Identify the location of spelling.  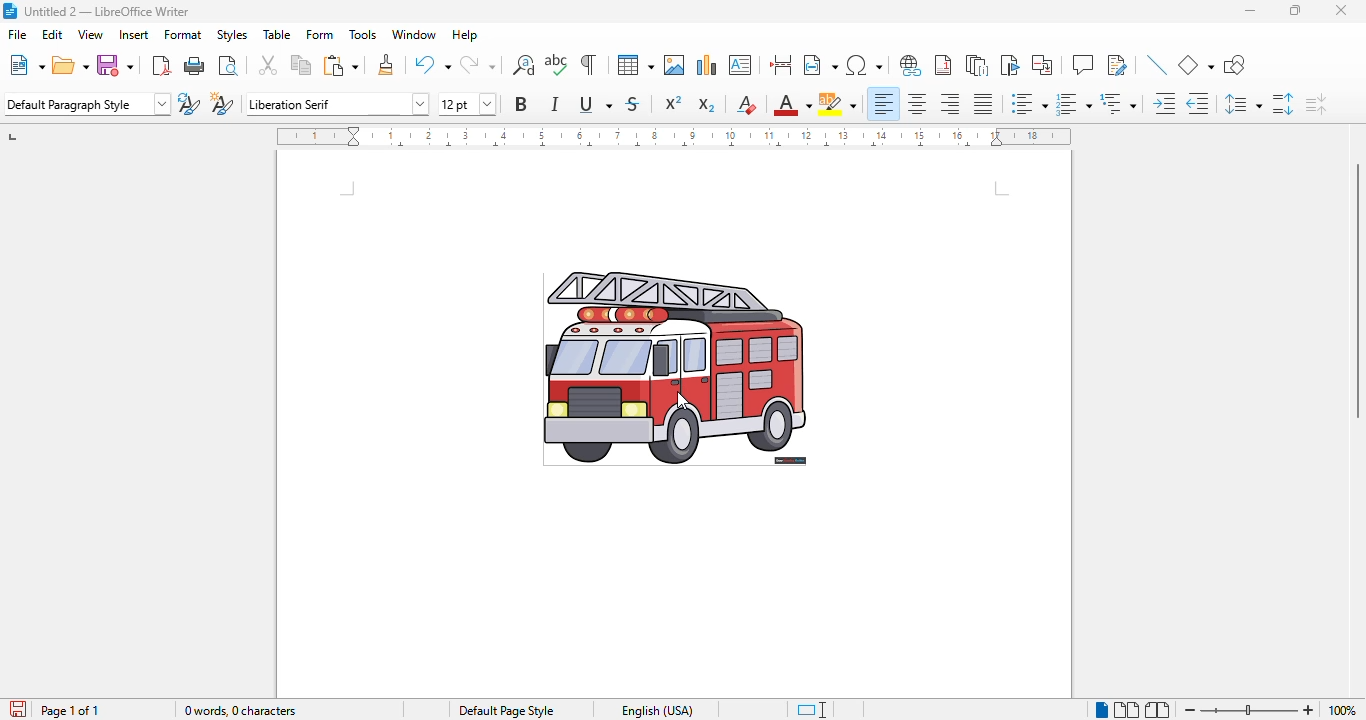
(557, 65).